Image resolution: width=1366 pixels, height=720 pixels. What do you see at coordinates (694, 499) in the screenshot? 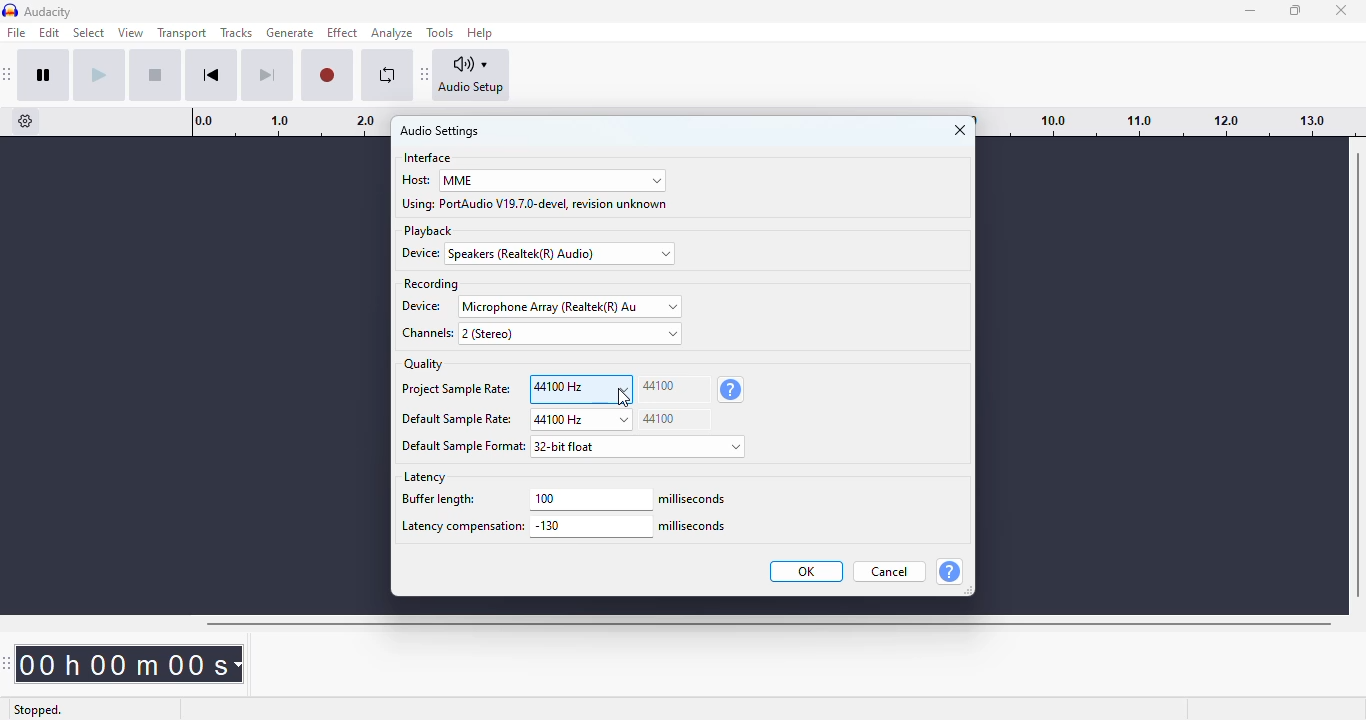
I see `miliseconds` at bounding box center [694, 499].